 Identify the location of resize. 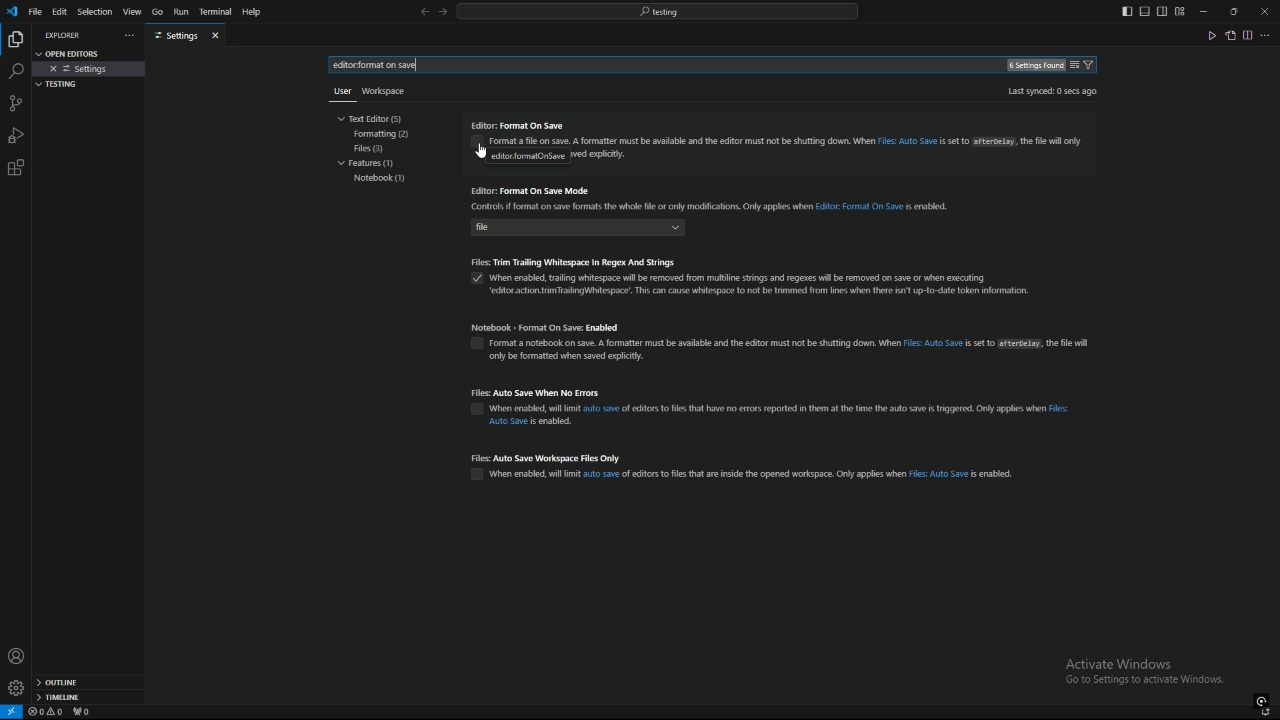
(1233, 11).